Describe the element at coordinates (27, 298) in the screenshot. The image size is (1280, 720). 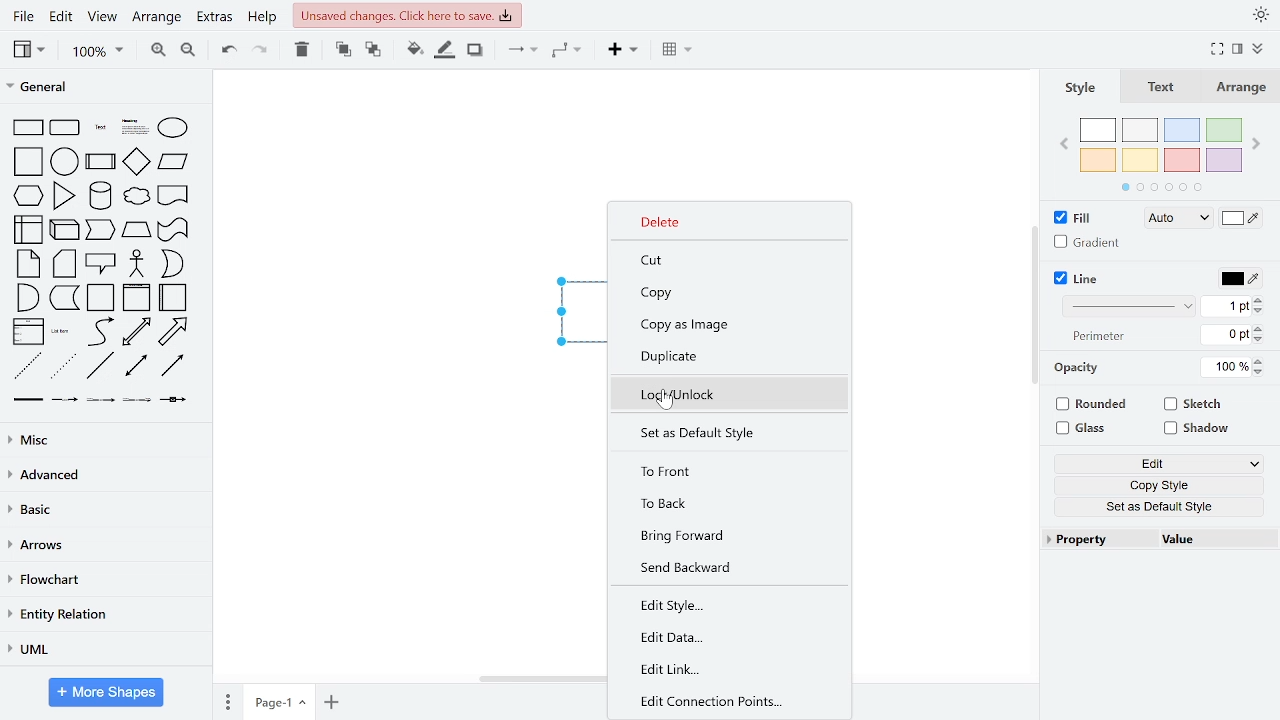
I see `and` at that location.